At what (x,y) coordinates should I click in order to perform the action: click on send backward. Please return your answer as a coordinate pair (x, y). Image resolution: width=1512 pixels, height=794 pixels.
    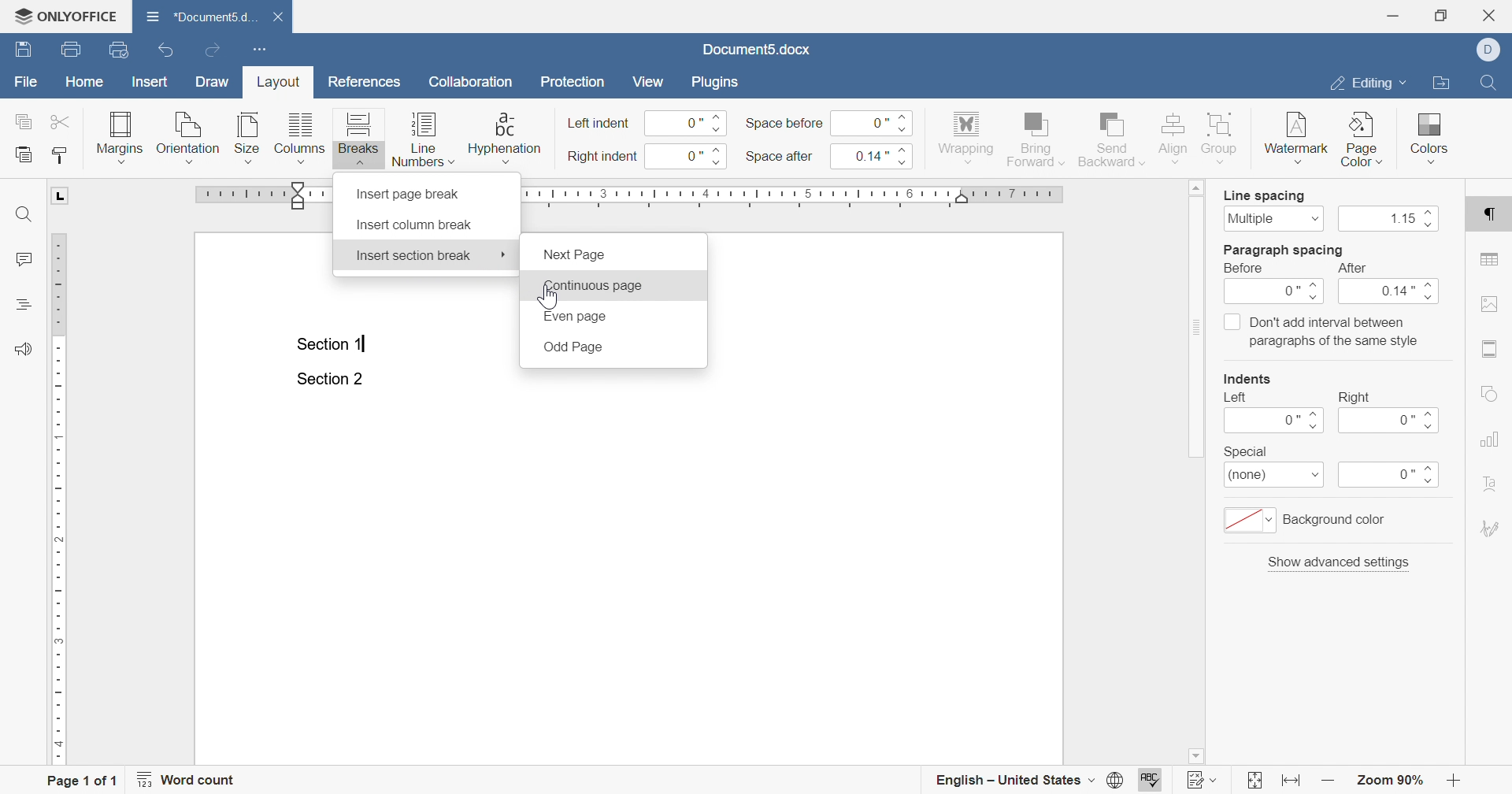
    Looking at the image, I should click on (1113, 137).